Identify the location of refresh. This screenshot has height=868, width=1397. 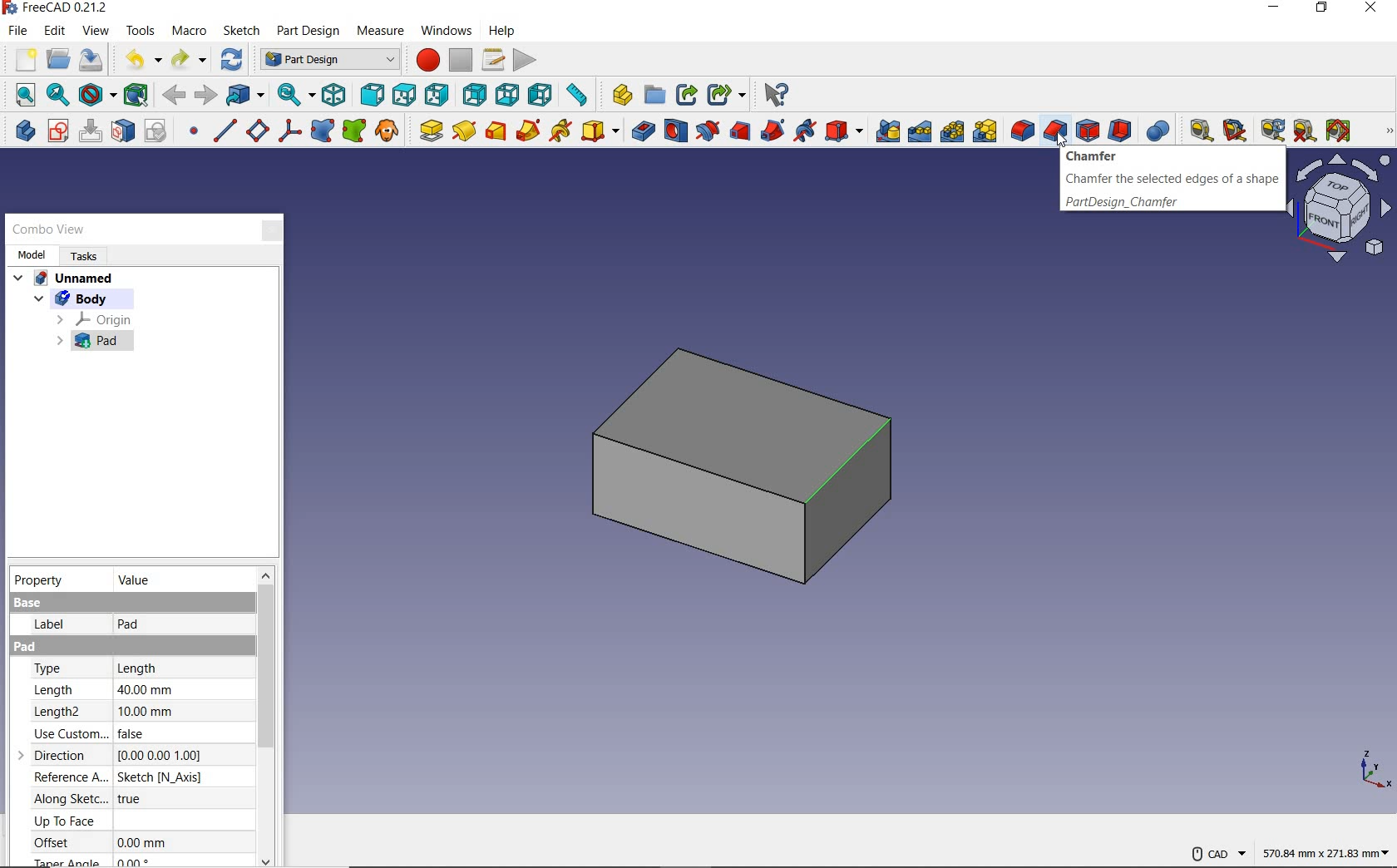
(234, 59).